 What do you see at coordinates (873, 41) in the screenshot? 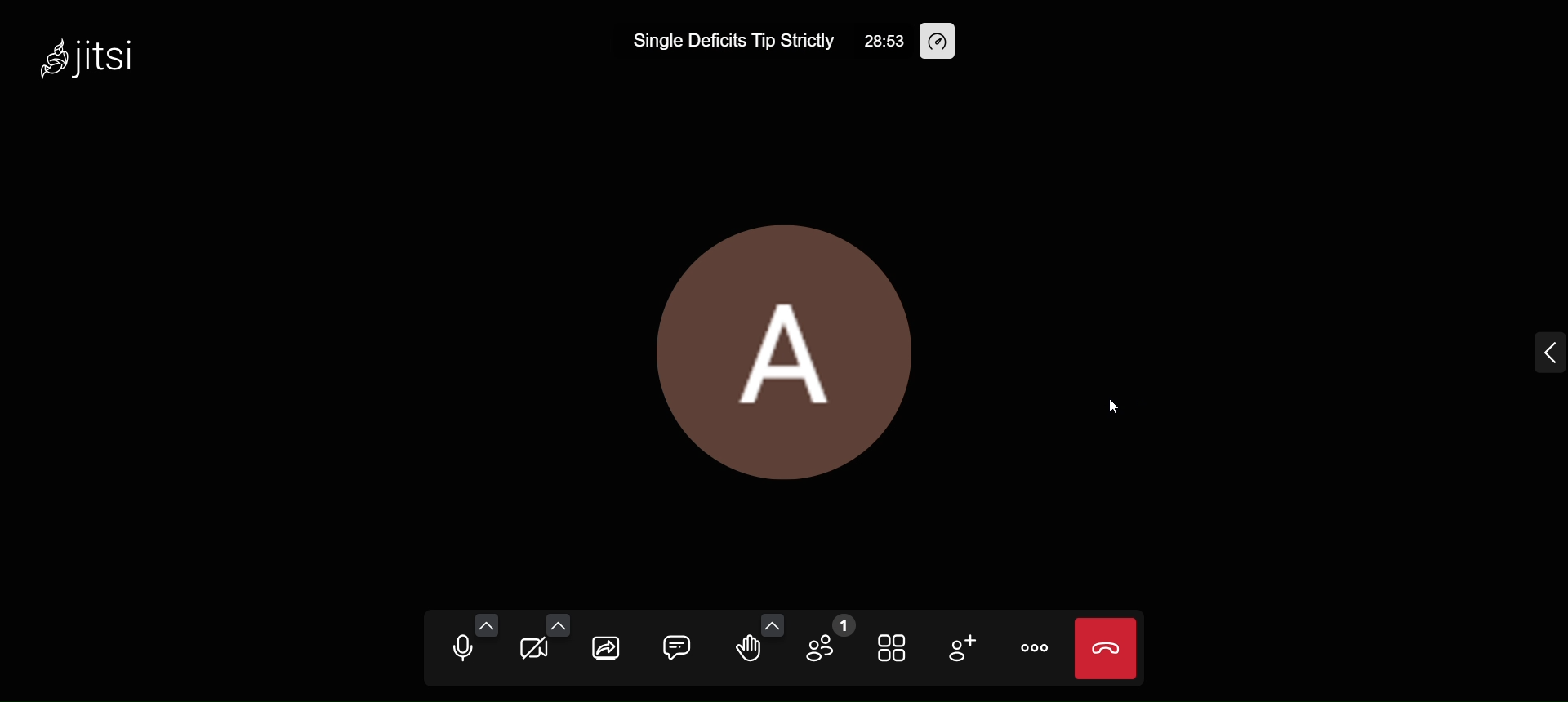
I see `28:53` at bounding box center [873, 41].